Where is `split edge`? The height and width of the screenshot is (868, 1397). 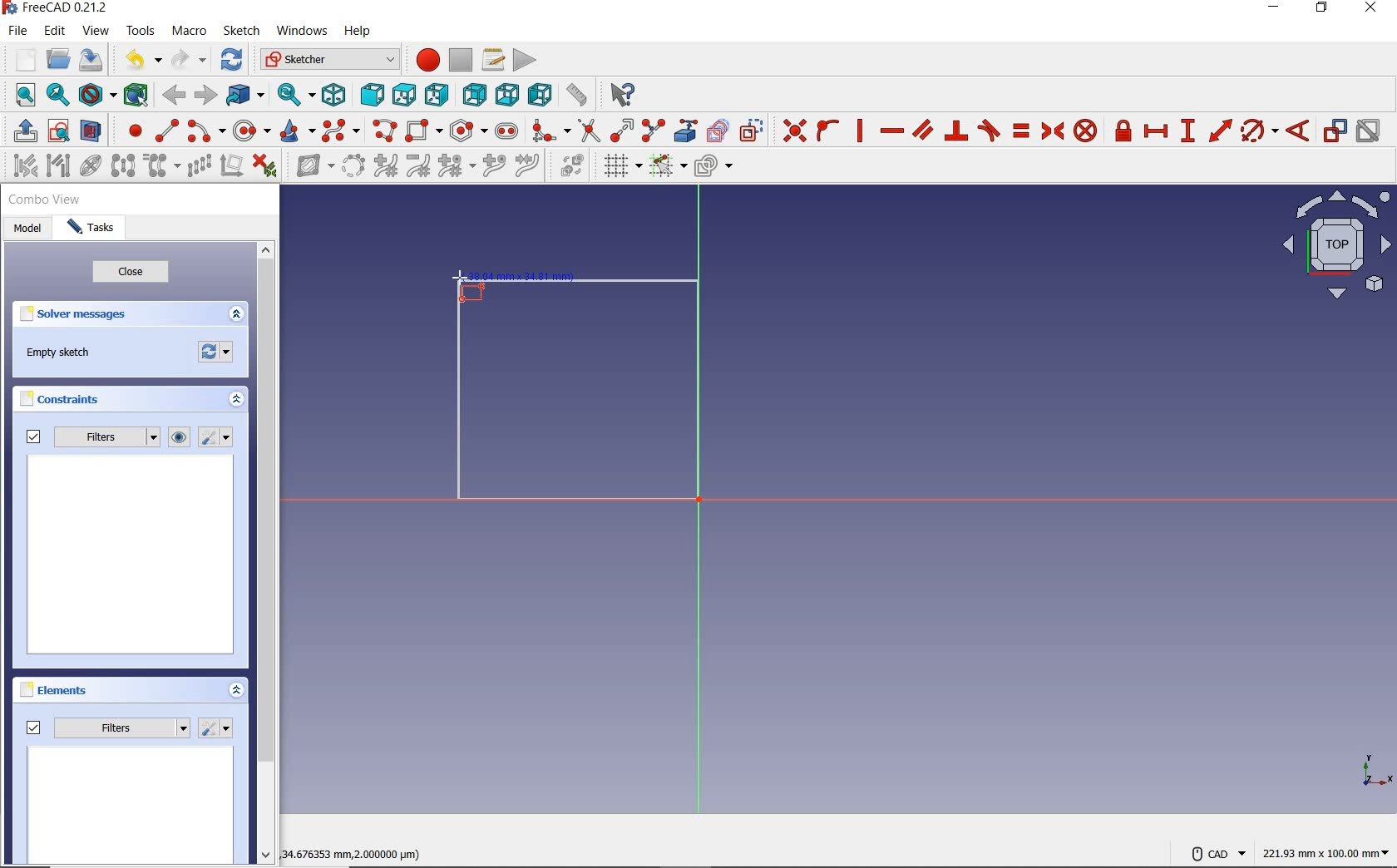
split edge is located at coordinates (653, 131).